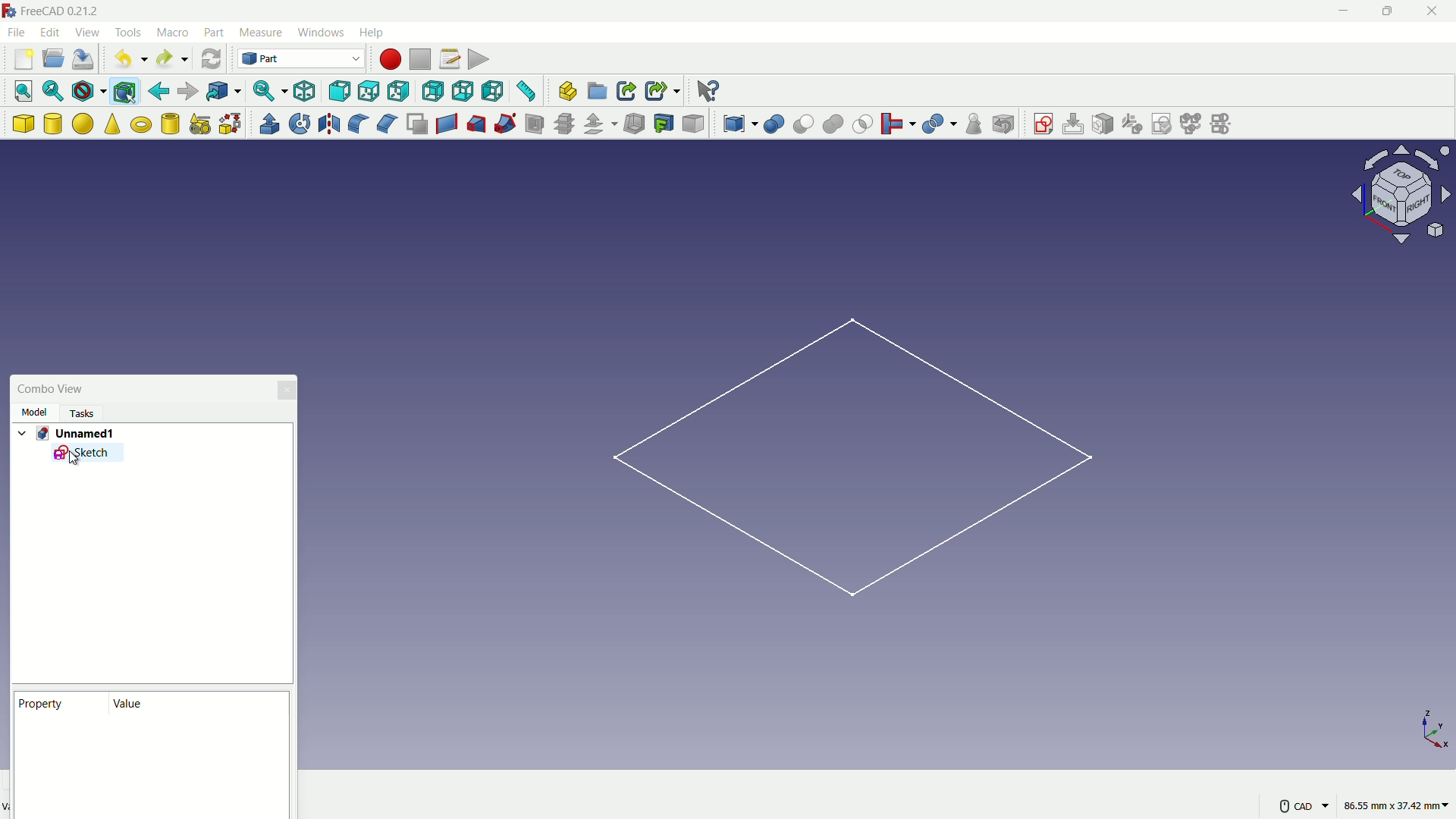  I want to click on 86.55 mm, 37.42 mm, so click(1397, 802).